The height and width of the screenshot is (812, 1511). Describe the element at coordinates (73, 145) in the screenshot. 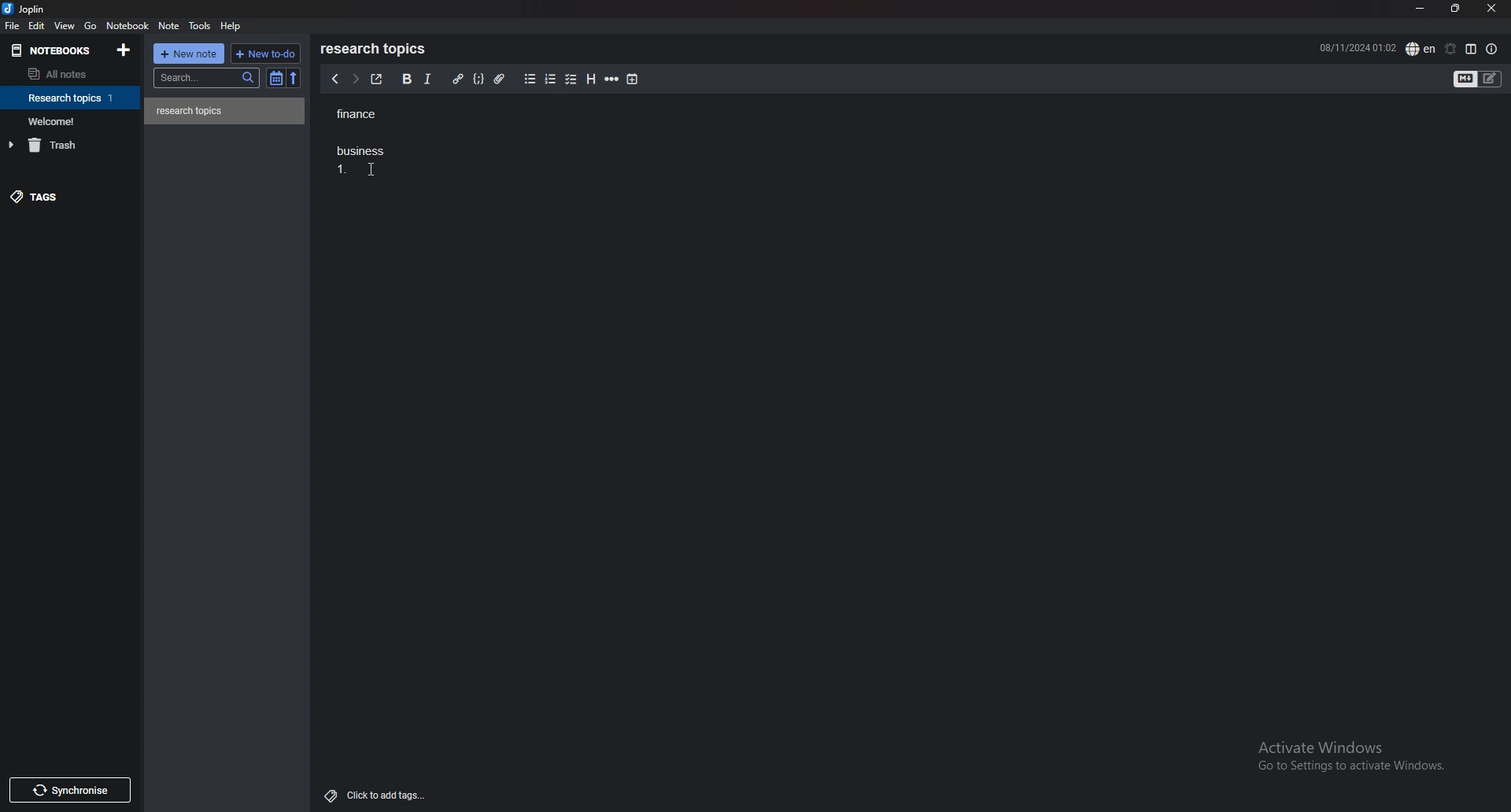

I see `trash` at that location.